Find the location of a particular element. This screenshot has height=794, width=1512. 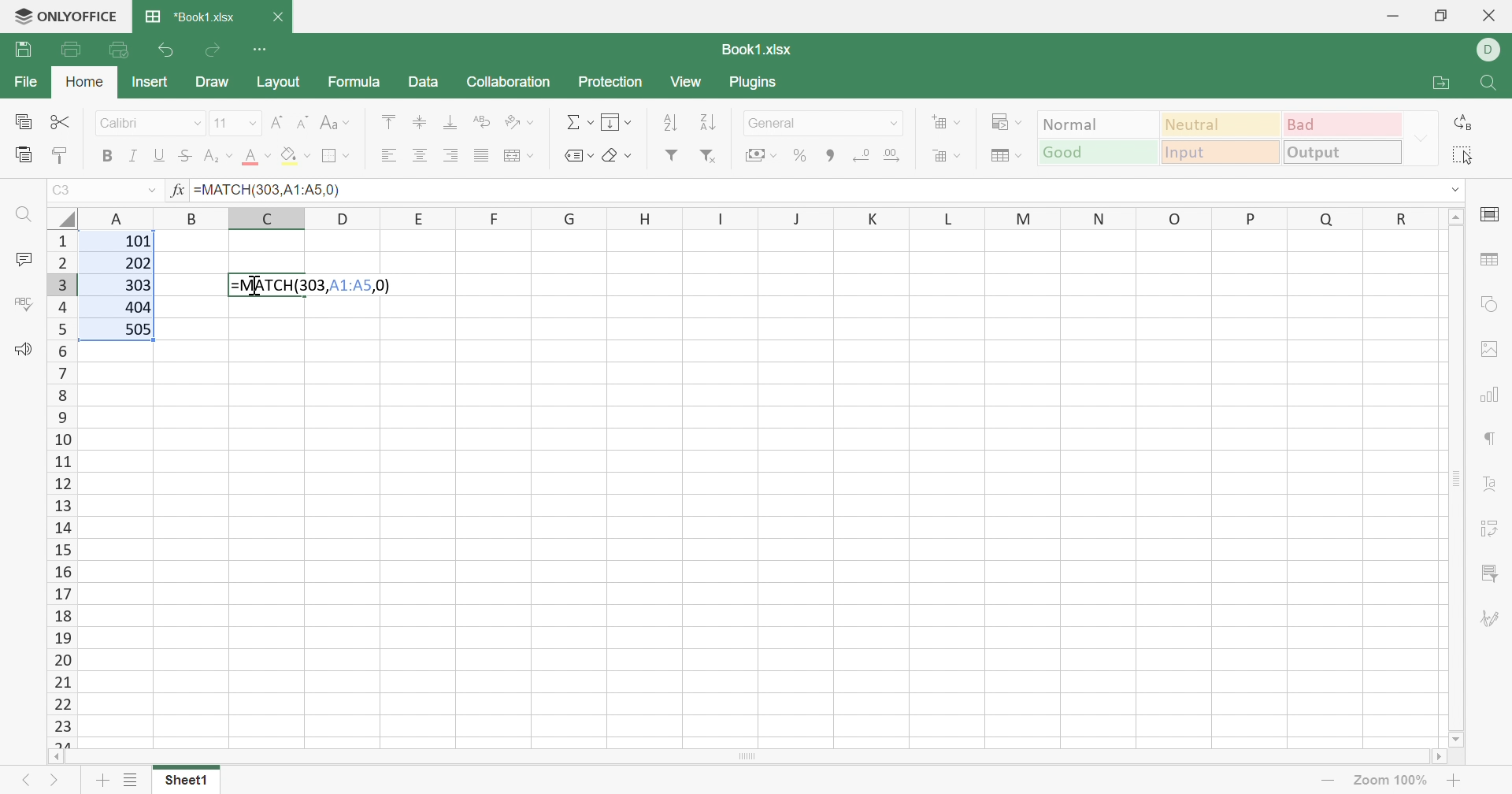

101 is located at coordinates (135, 242).